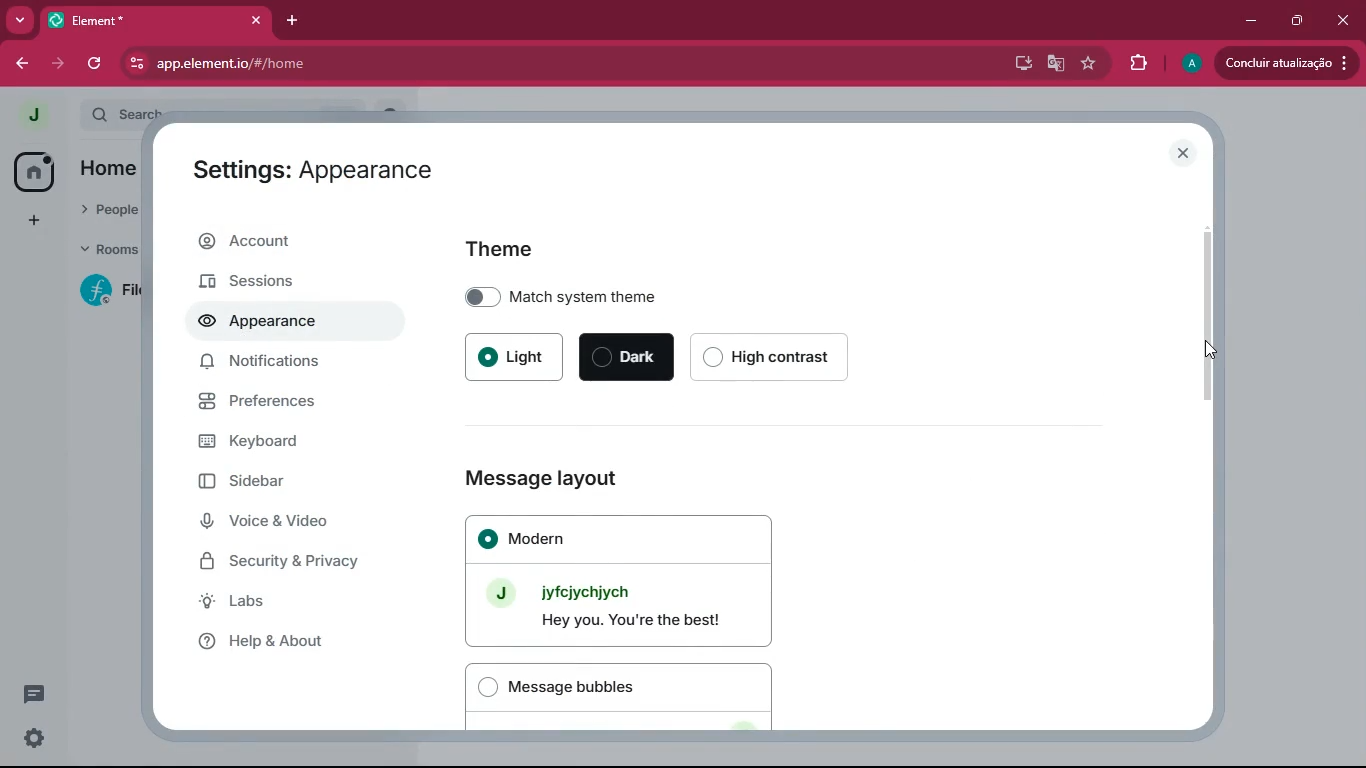 The height and width of the screenshot is (768, 1366). Describe the element at coordinates (38, 218) in the screenshot. I see `add` at that location.